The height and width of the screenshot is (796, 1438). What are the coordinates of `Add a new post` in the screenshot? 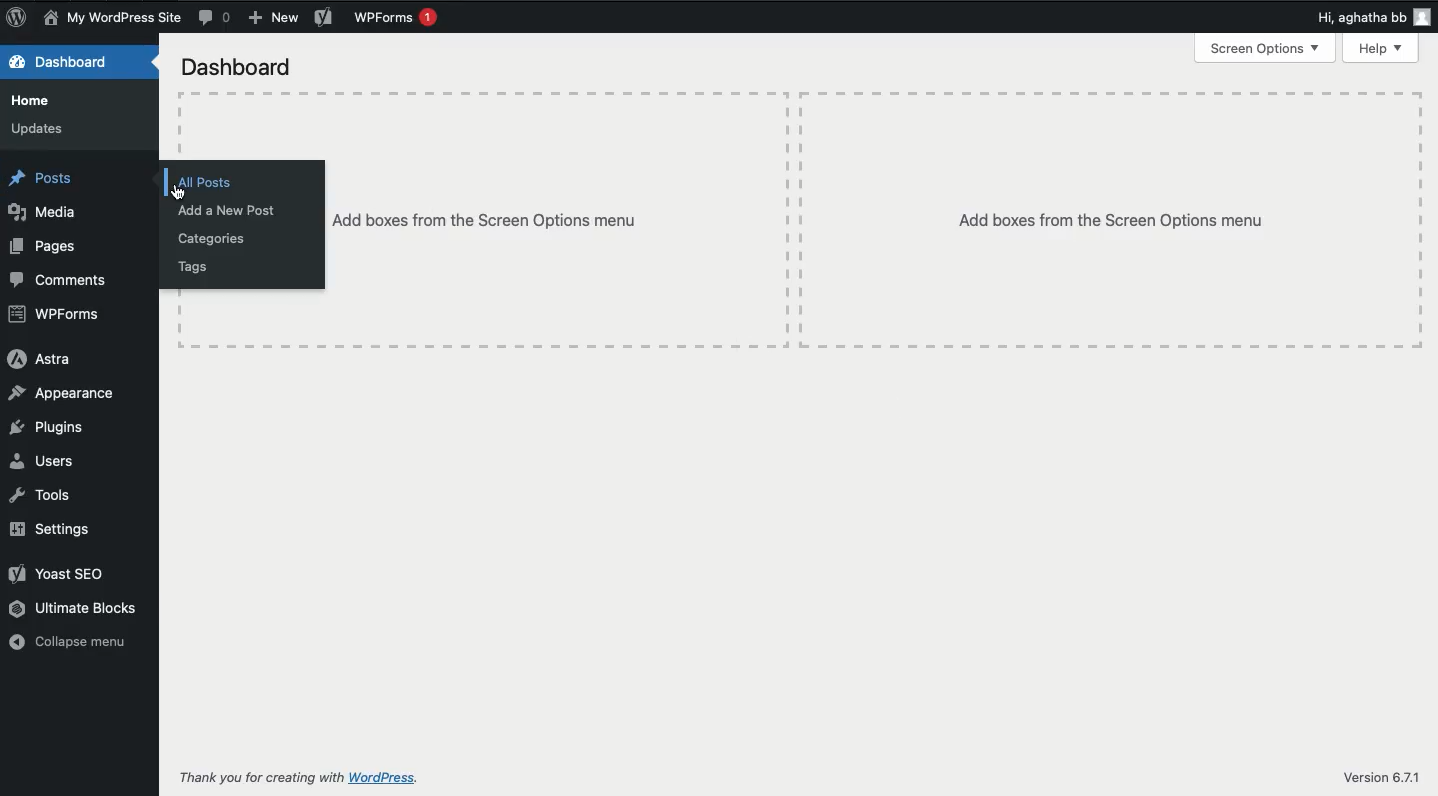 It's located at (232, 211).